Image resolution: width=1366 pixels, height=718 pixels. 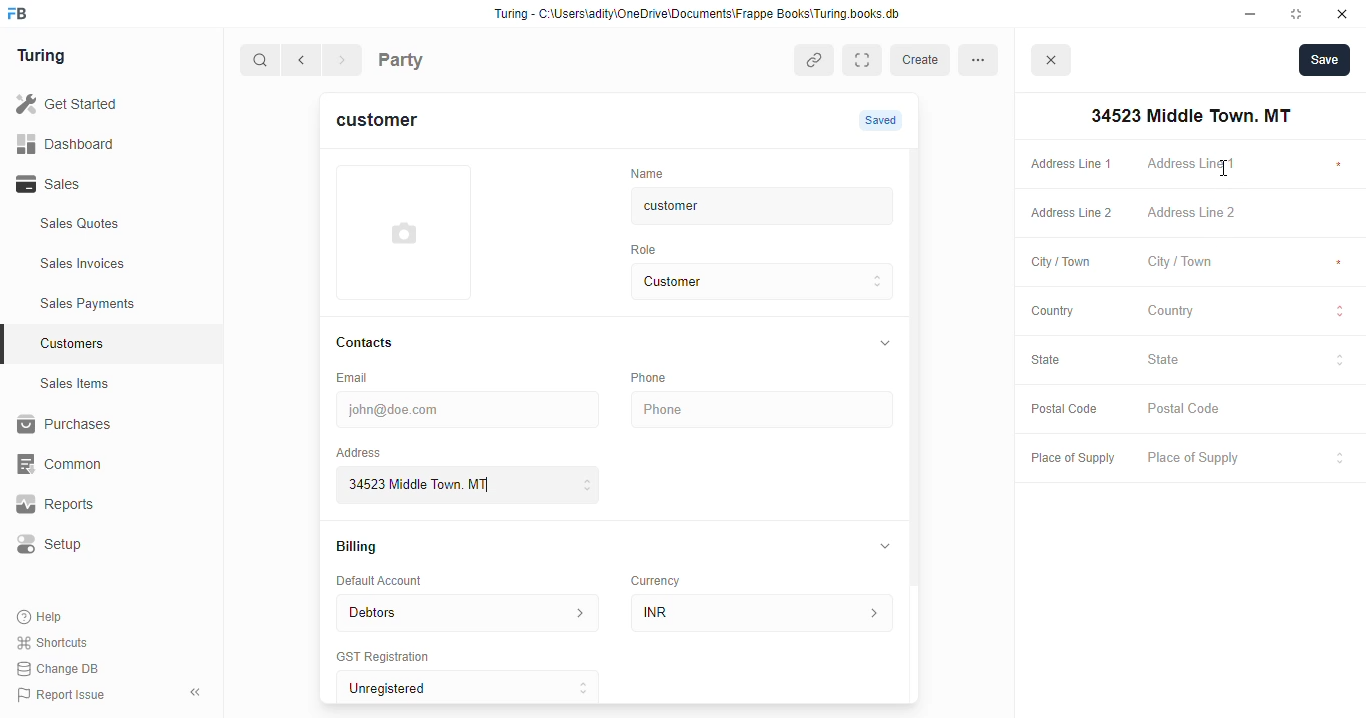 What do you see at coordinates (95, 143) in the screenshot?
I see `Dashboard` at bounding box center [95, 143].